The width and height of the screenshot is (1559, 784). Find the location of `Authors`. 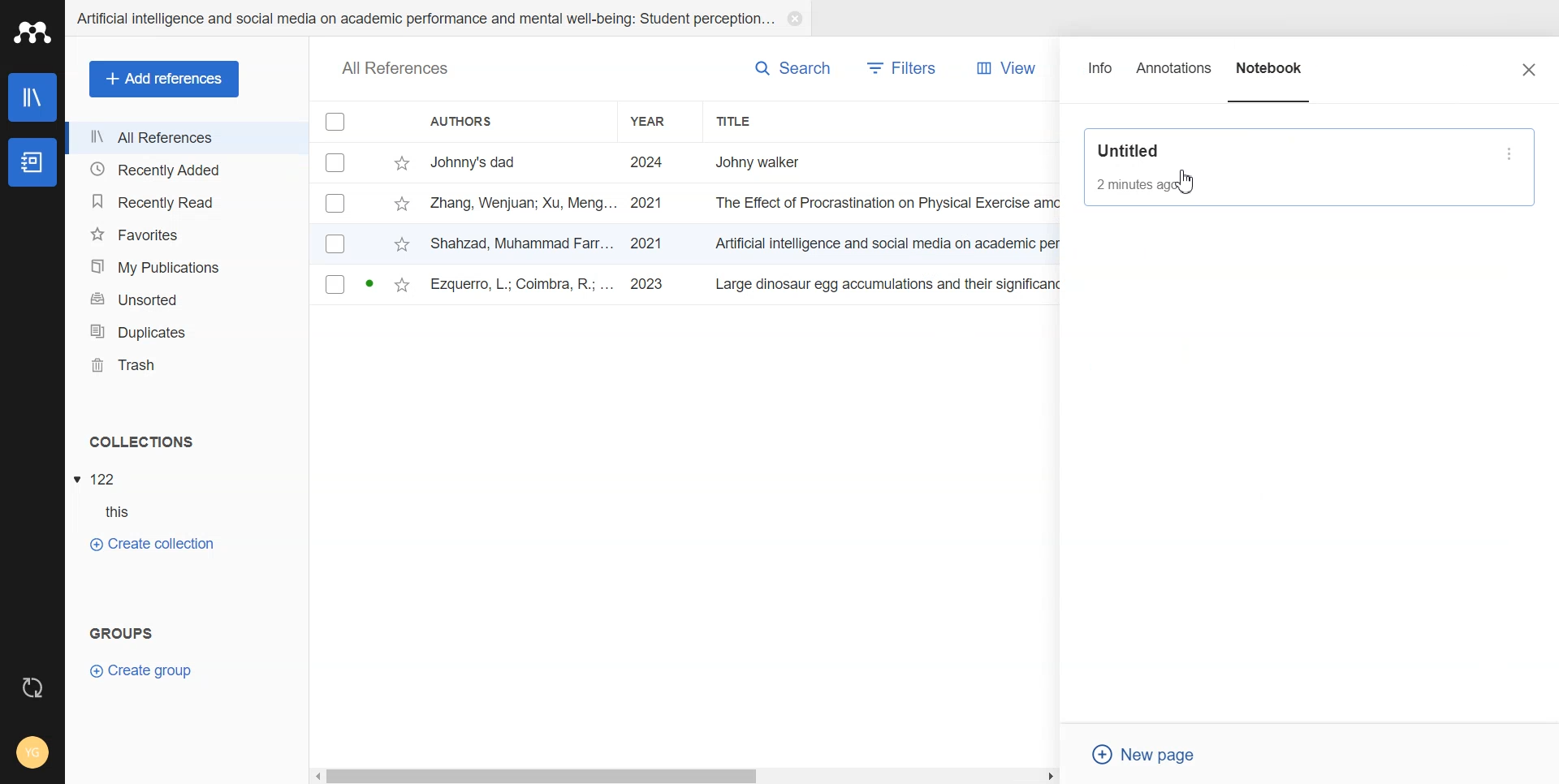

Authors is located at coordinates (514, 121).